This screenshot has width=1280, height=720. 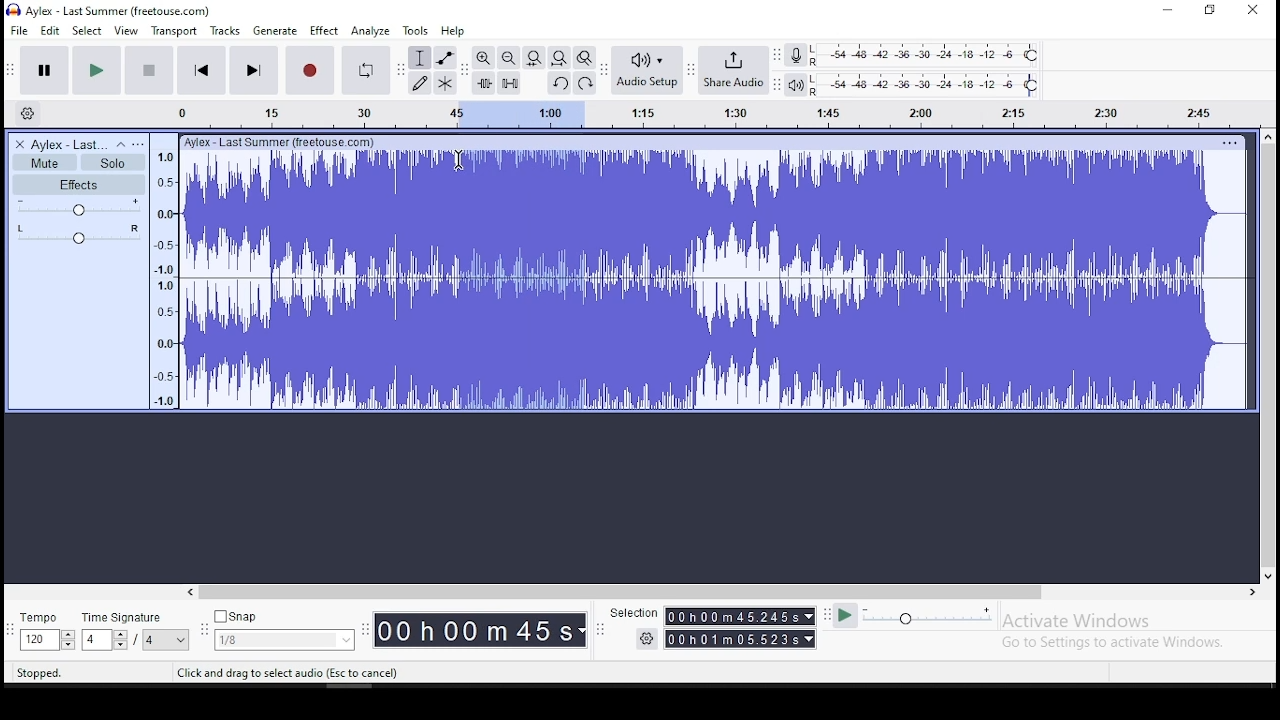 What do you see at coordinates (20, 30) in the screenshot?
I see `file` at bounding box center [20, 30].